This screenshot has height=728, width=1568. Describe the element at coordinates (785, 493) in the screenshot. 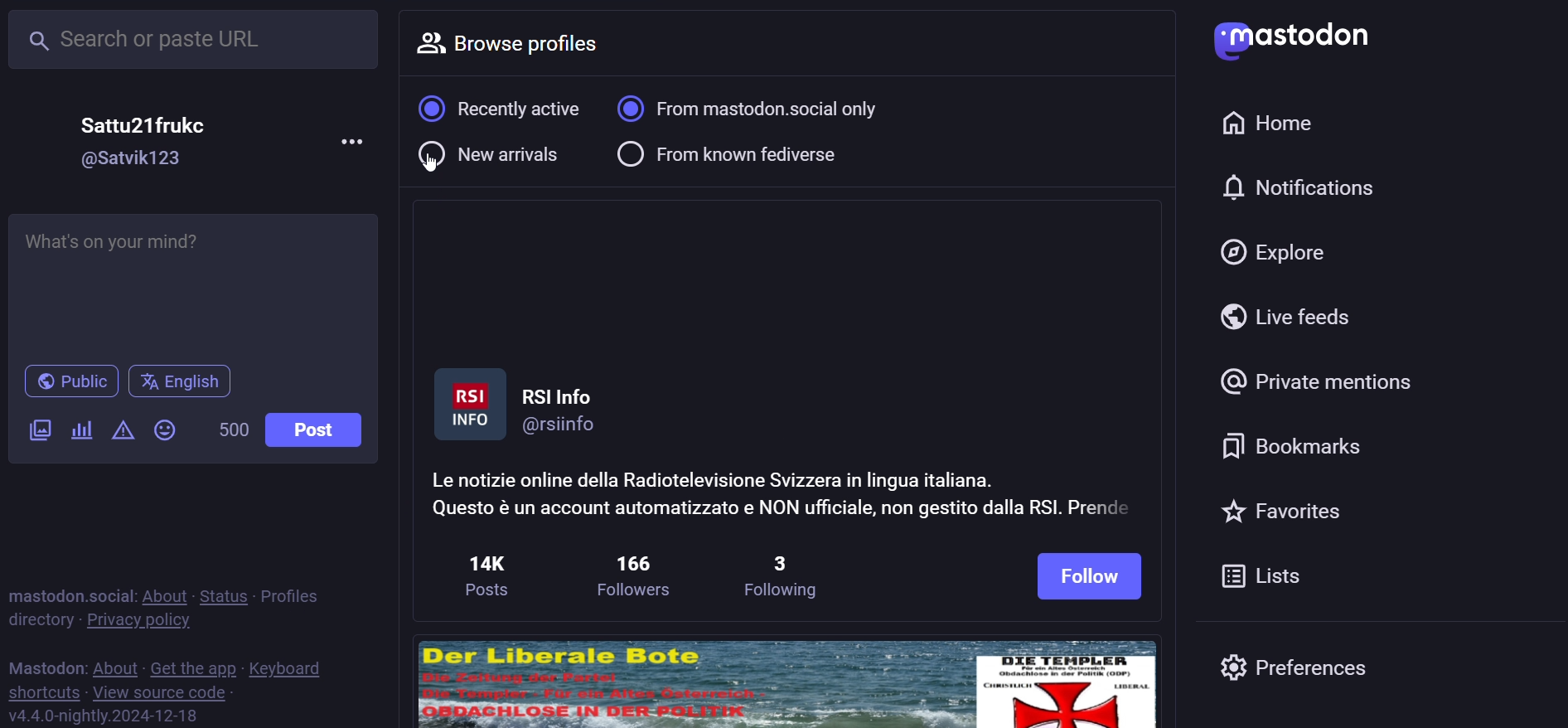

I see `Le notizie online della Radiotelevisione Svizzera in lingua italiana.
Questo & un account automatizzato e NON ufficiale, non gestito dalla RSI. Prend` at that location.